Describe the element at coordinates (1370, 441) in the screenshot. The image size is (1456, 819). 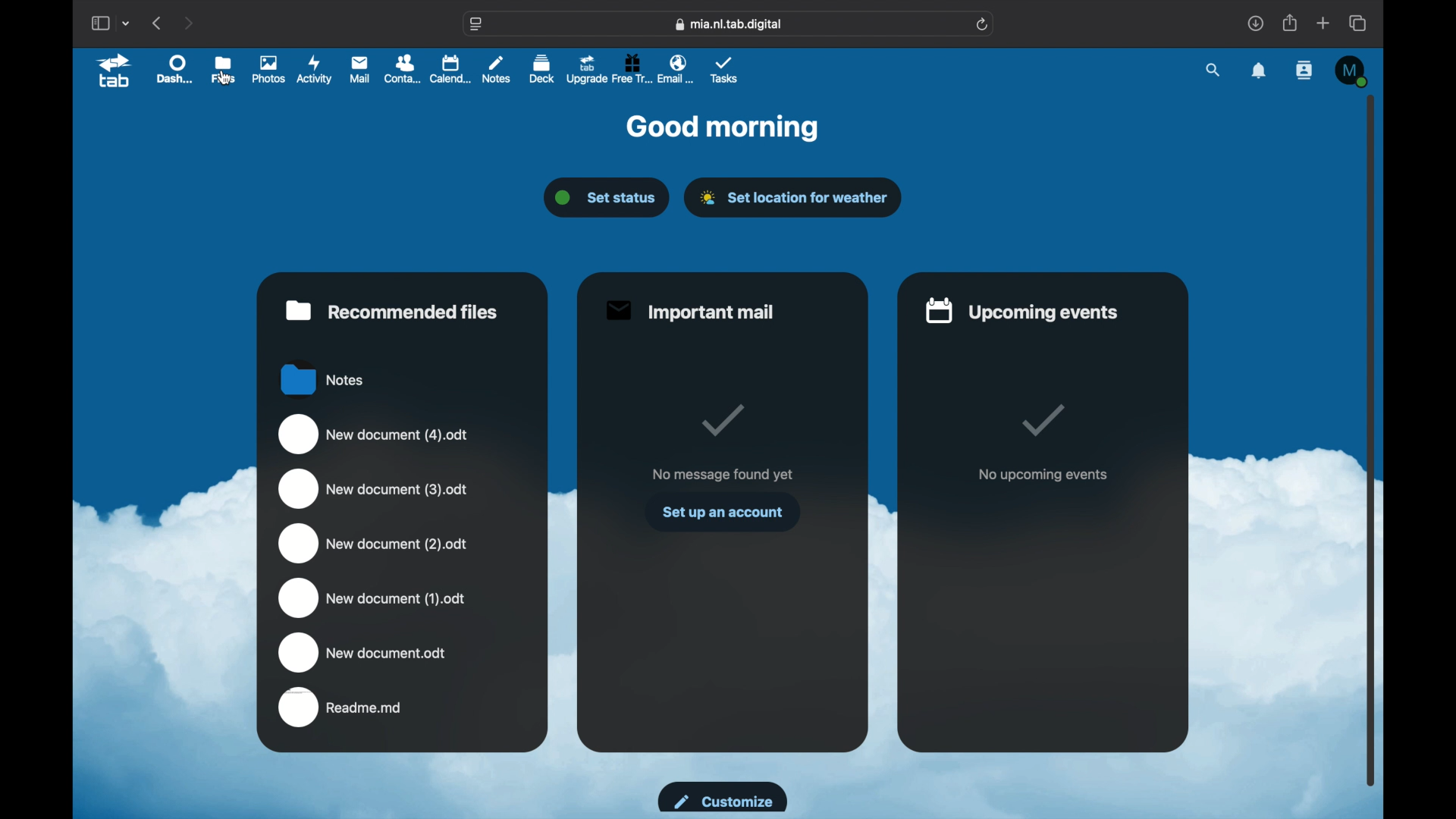
I see `scroll box` at that location.